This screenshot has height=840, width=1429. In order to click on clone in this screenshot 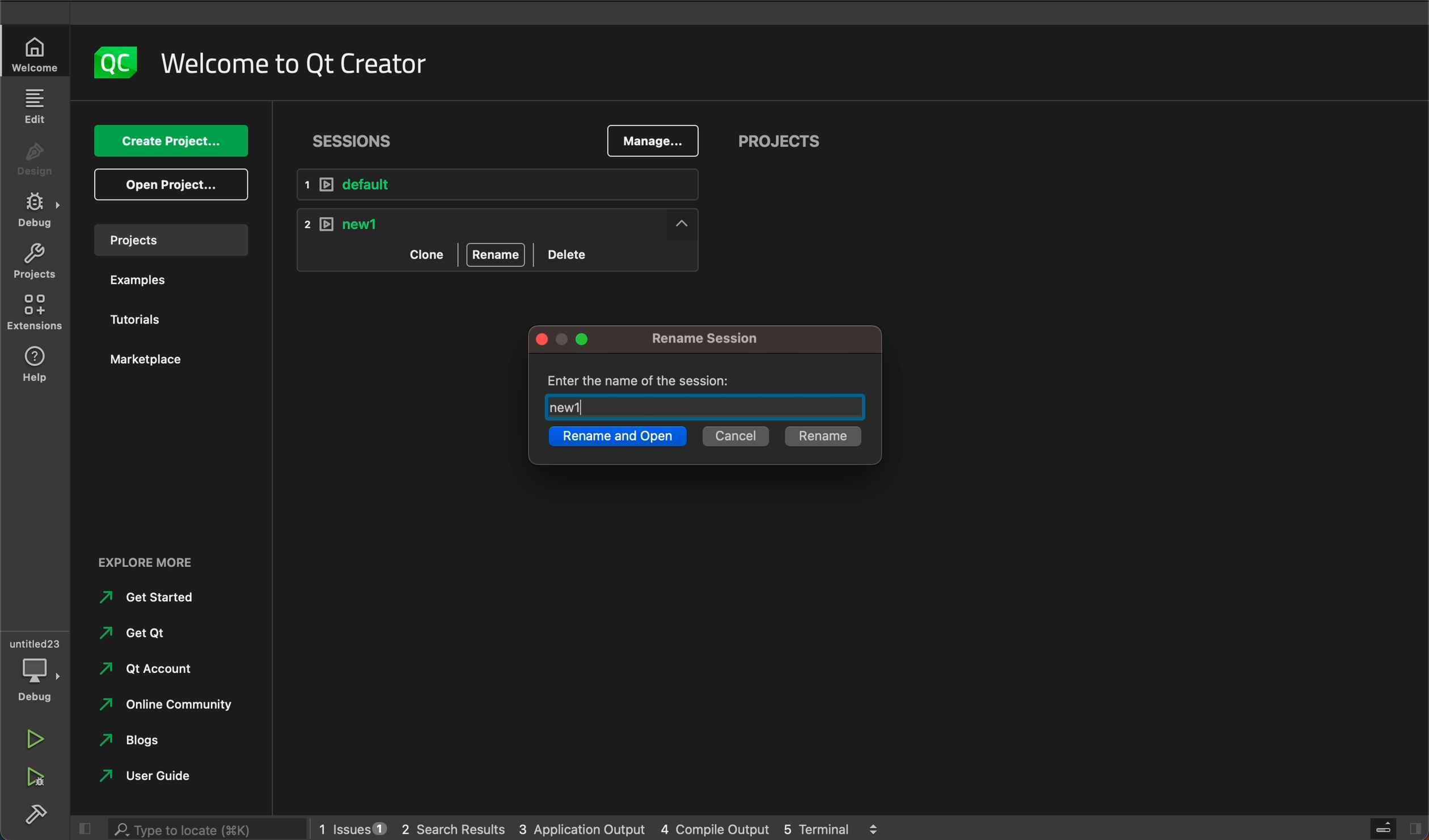, I will do `click(425, 253)`.